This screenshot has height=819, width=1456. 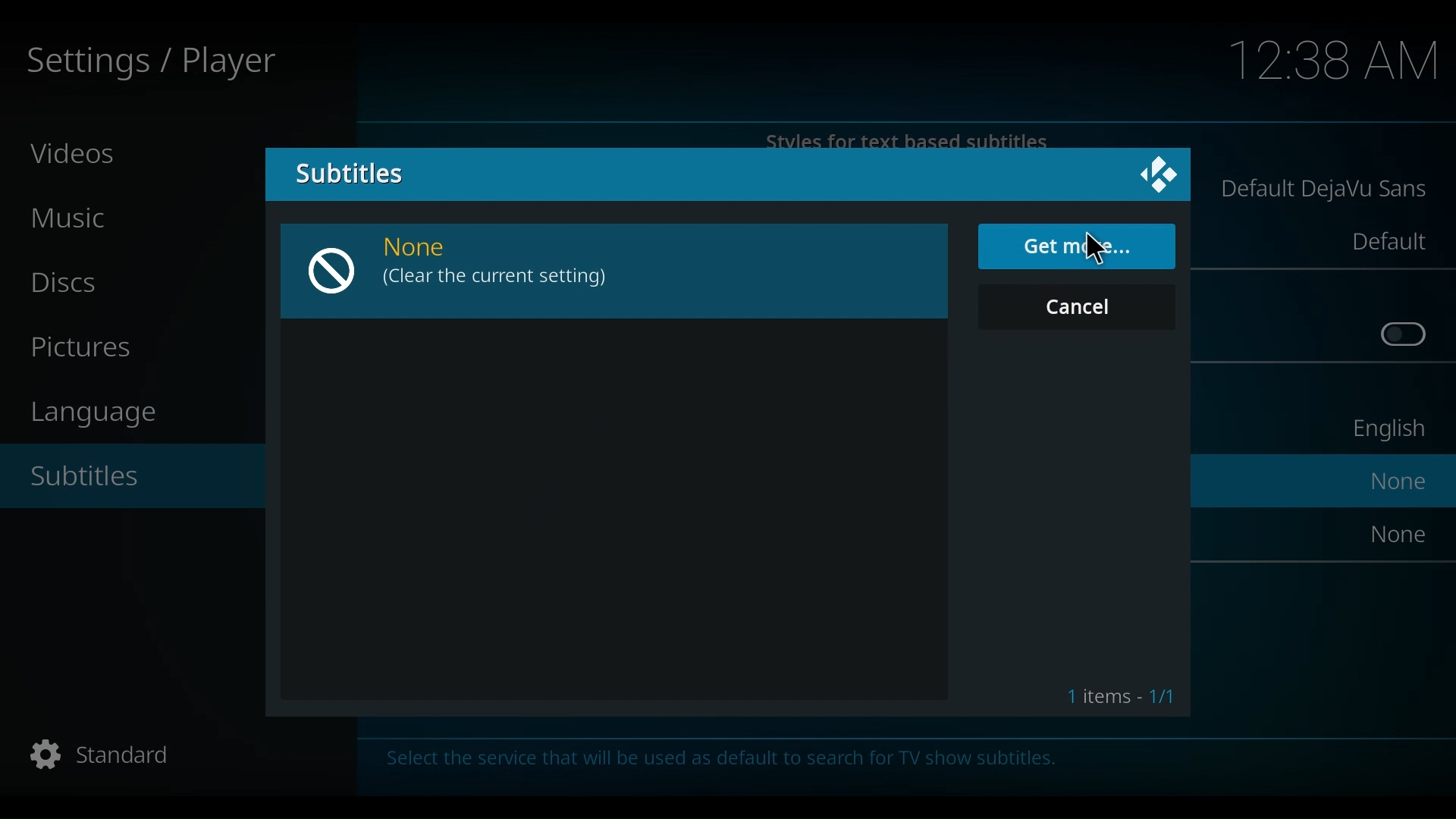 I want to click on Default, so click(x=1387, y=241).